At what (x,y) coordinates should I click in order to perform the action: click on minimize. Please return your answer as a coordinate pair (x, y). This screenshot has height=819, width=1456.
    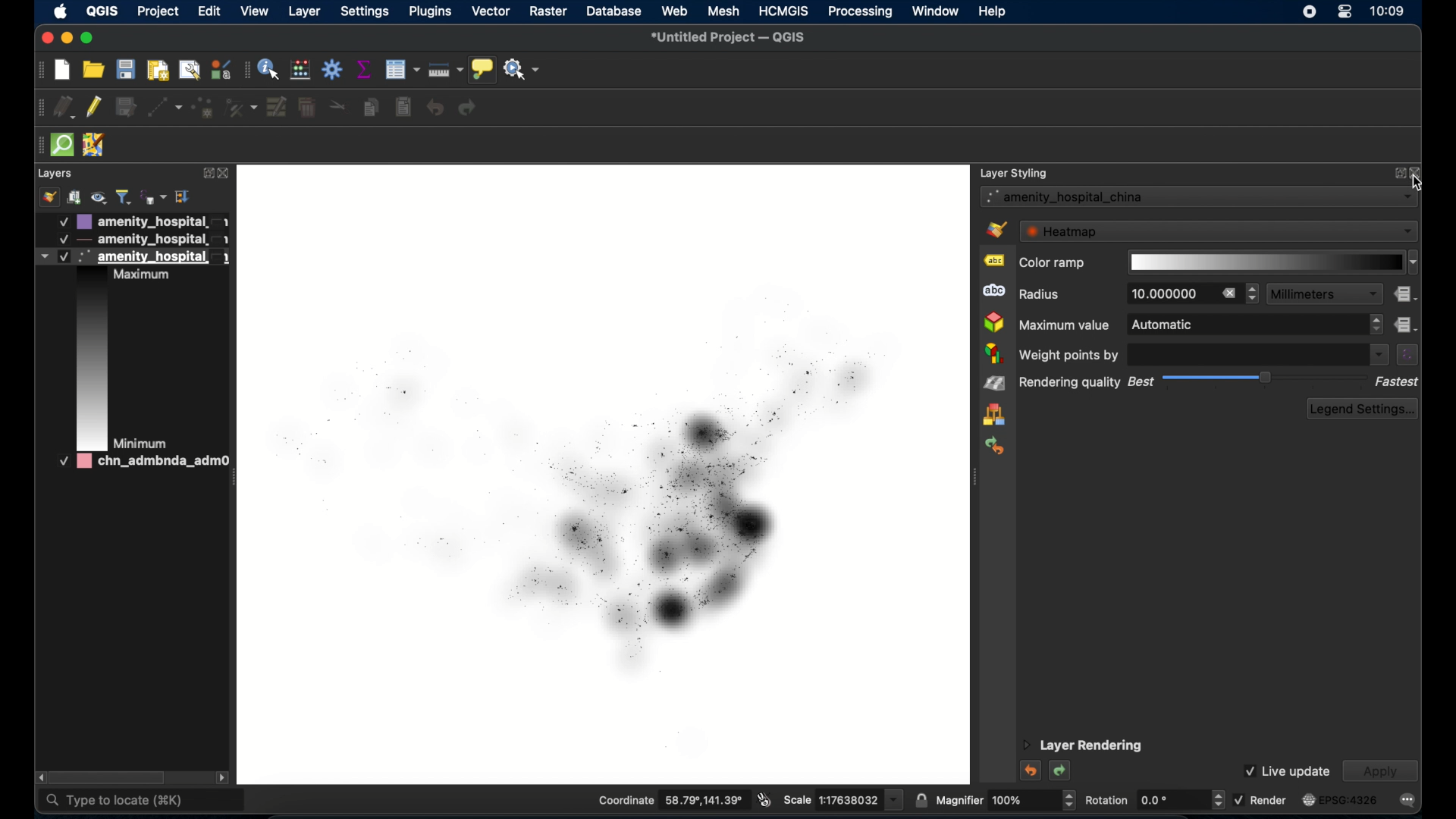
    Looking at the image, I should click on (66, 39).